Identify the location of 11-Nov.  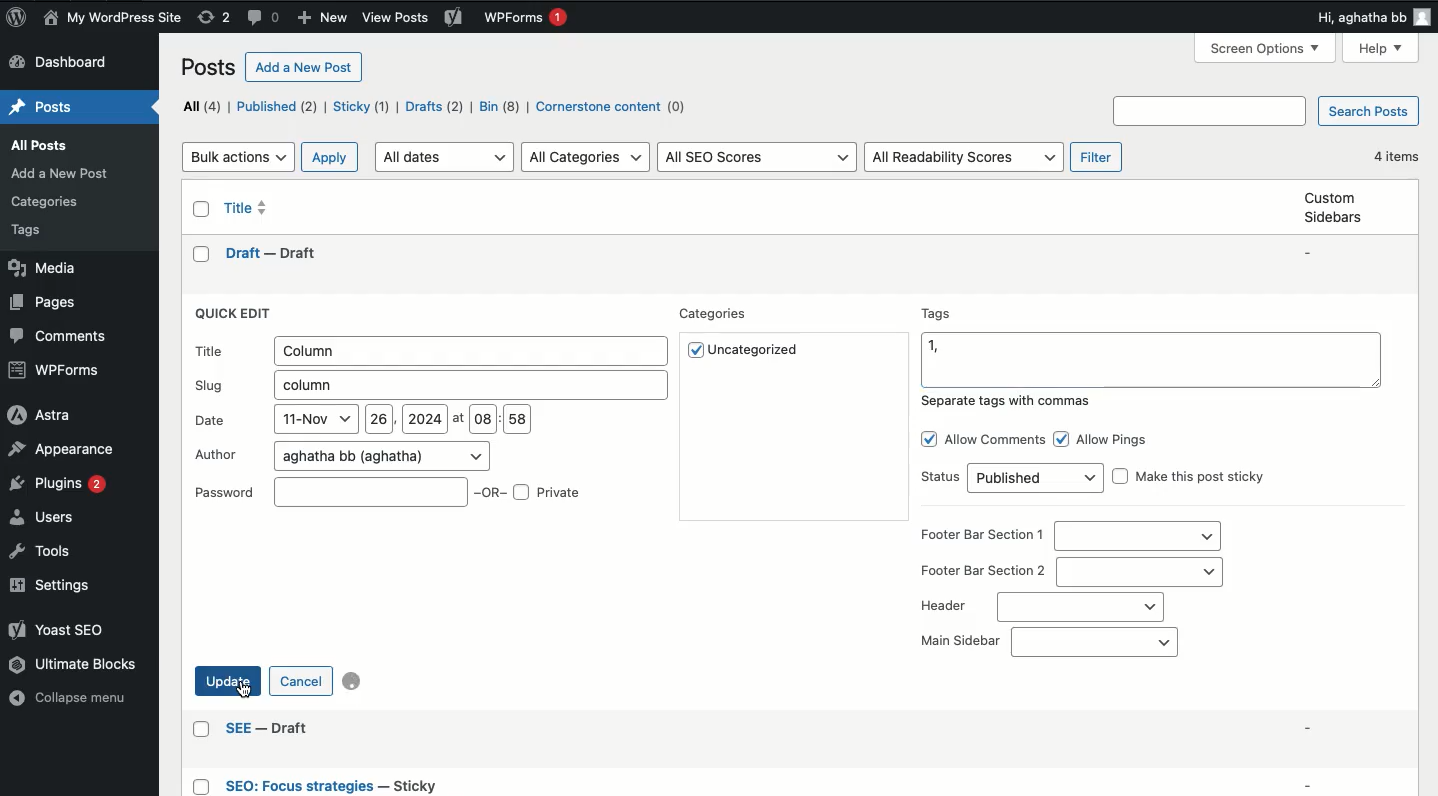
(317, 419).